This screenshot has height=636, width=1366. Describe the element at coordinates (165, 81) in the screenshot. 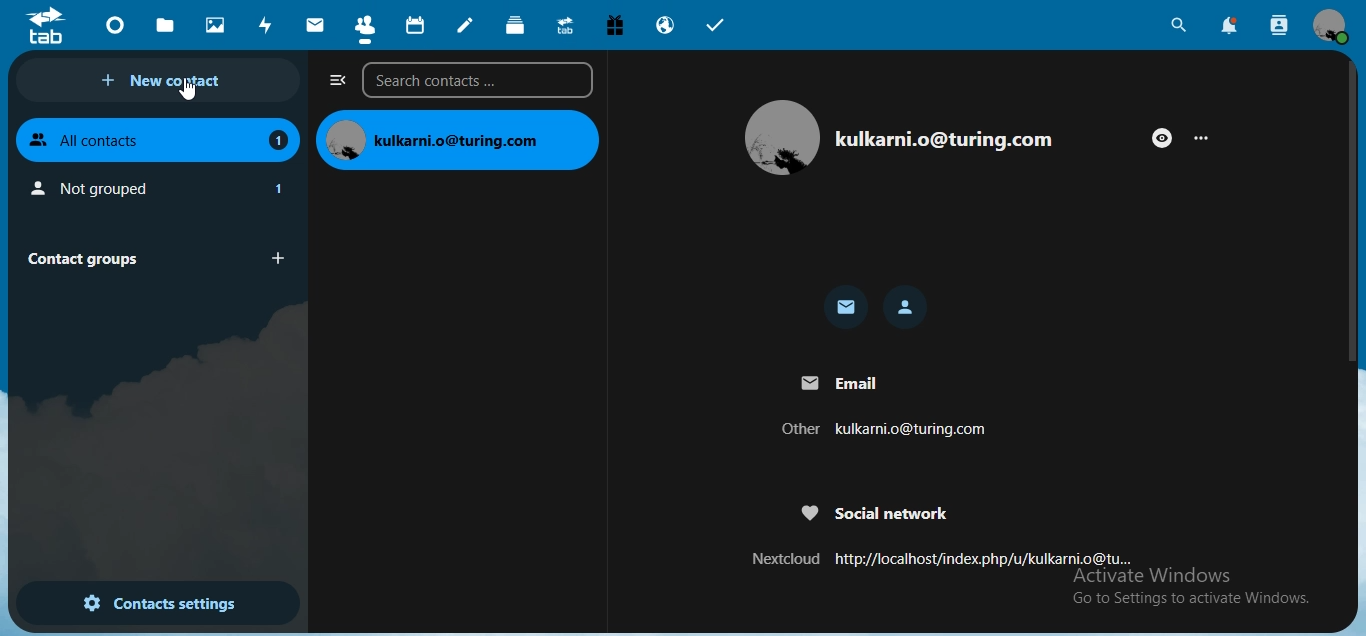

I see `new contact` at that location.